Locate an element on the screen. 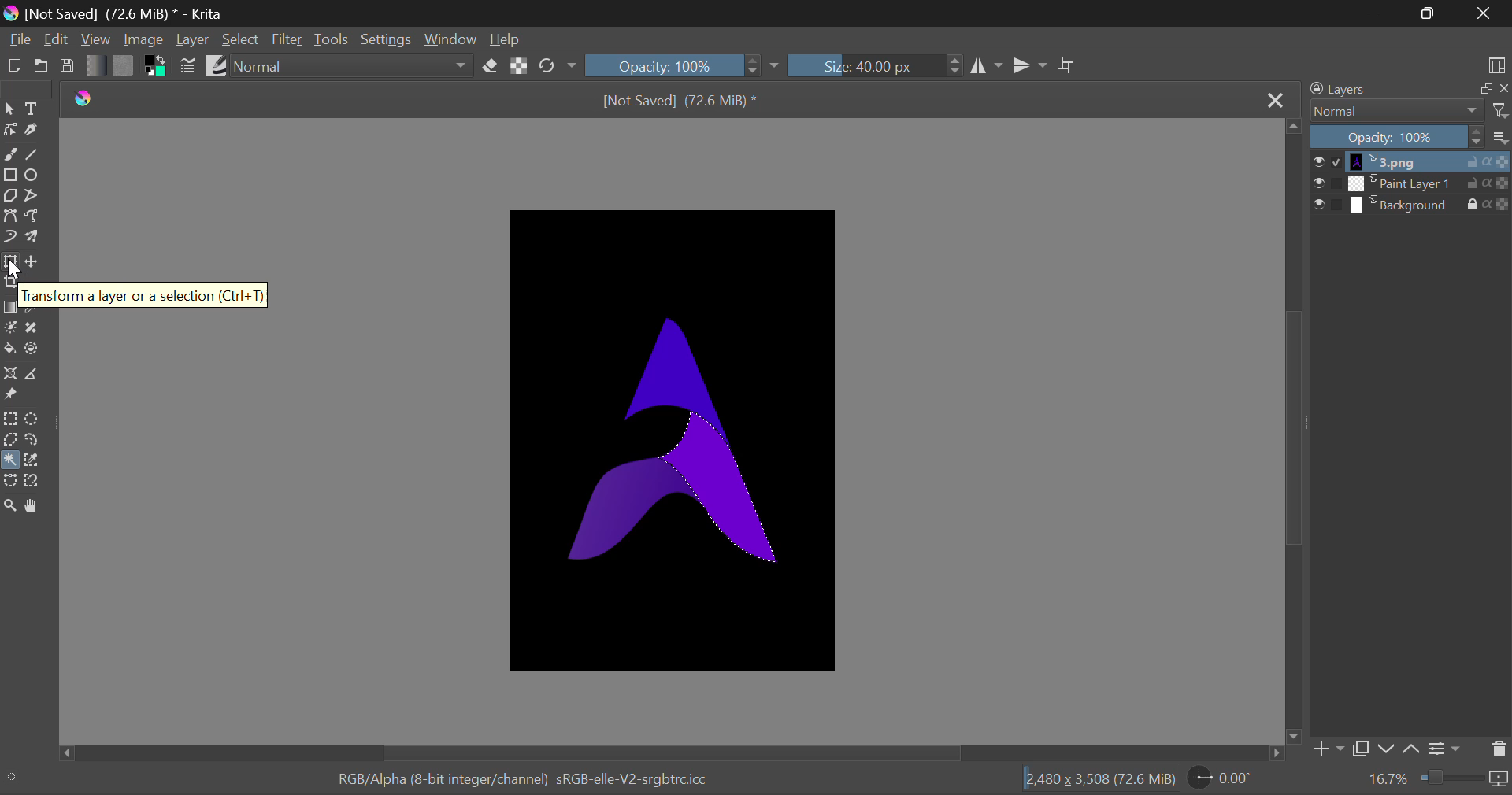 The image size is (1512, 795). Zoom is located at coordinates (9, 502).